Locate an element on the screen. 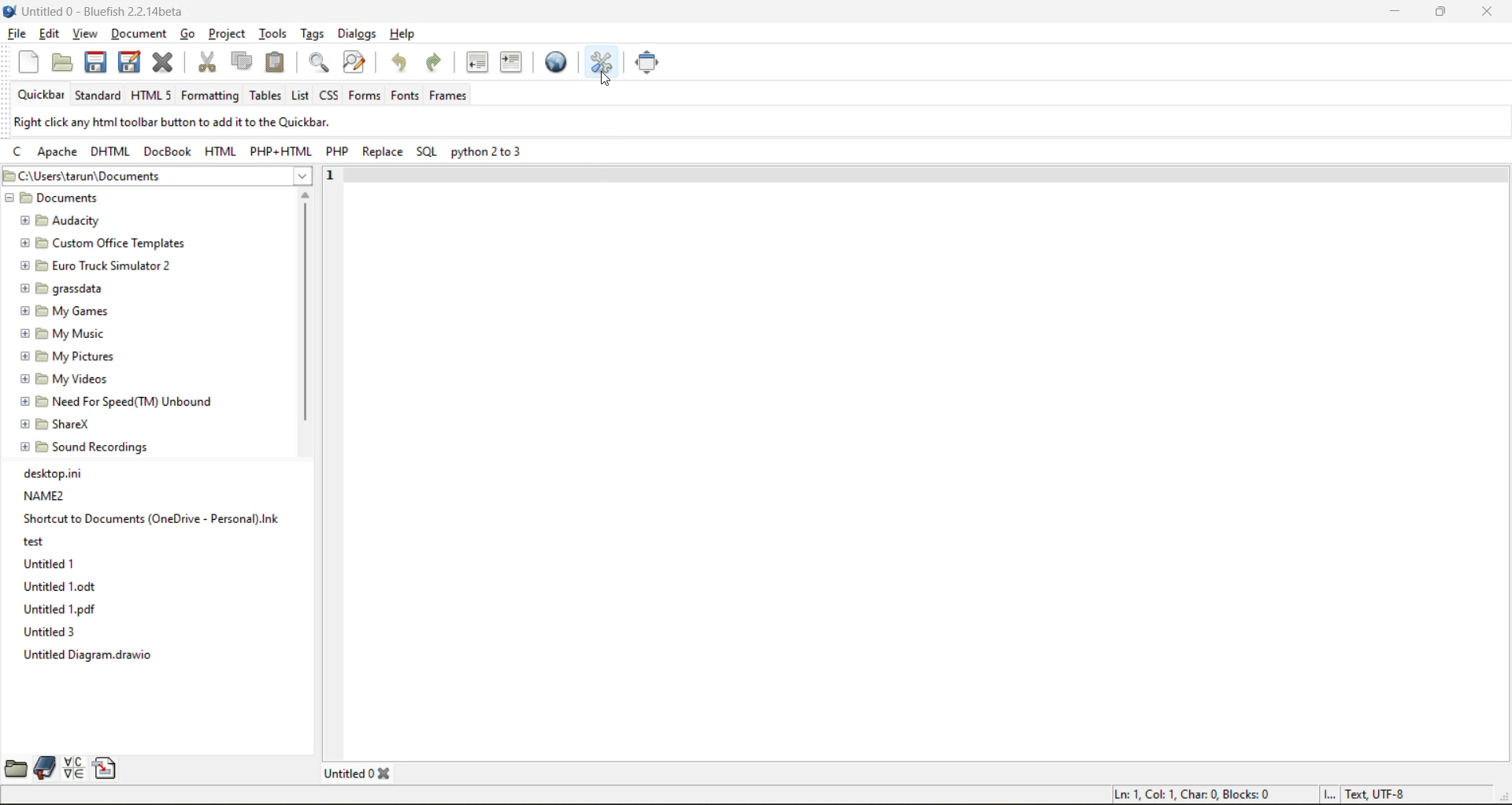 This screenshot has height=805, width=1512. project is located at coordinates (228, 33).